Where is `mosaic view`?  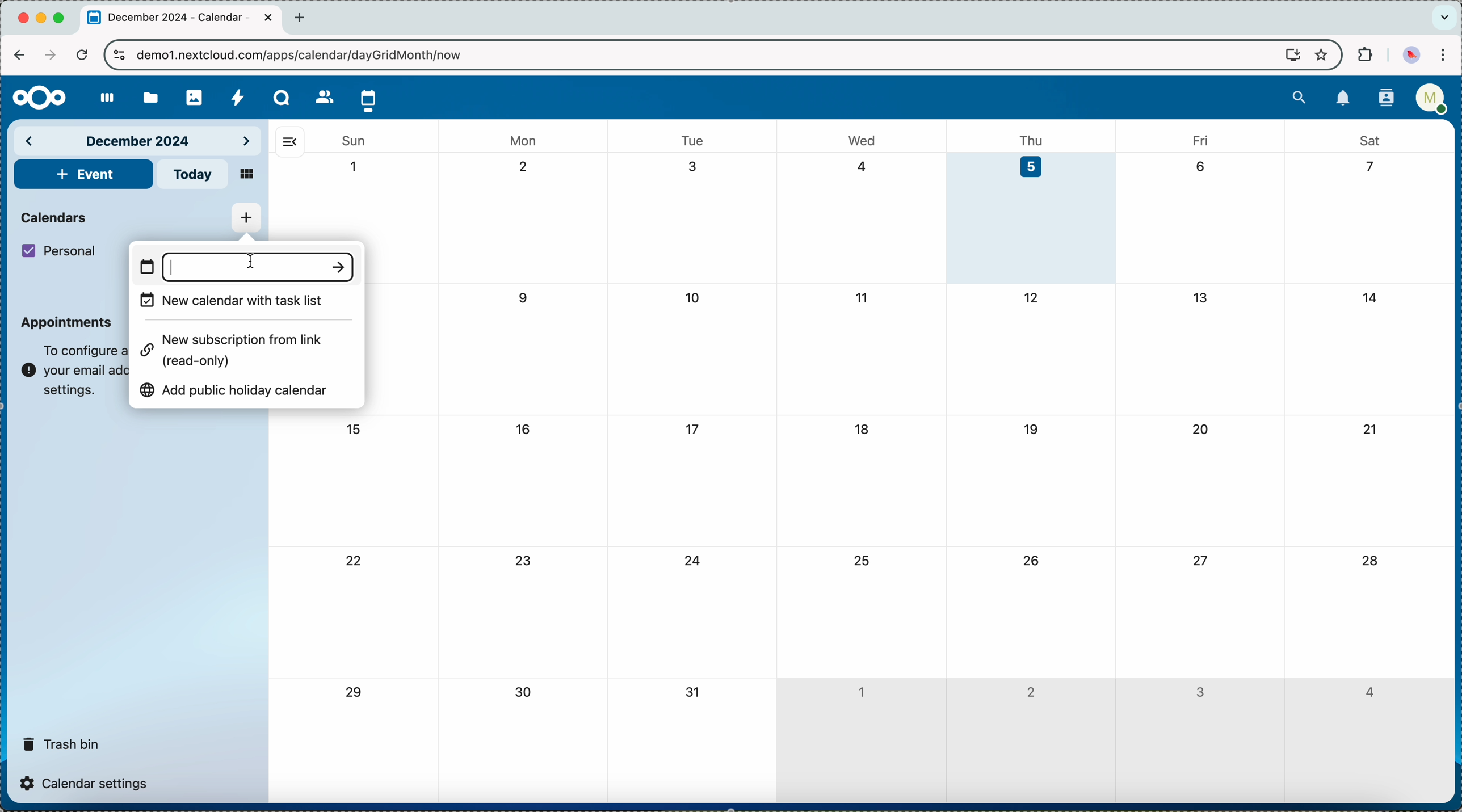 mosaic view is located at coordinates (247, 175).